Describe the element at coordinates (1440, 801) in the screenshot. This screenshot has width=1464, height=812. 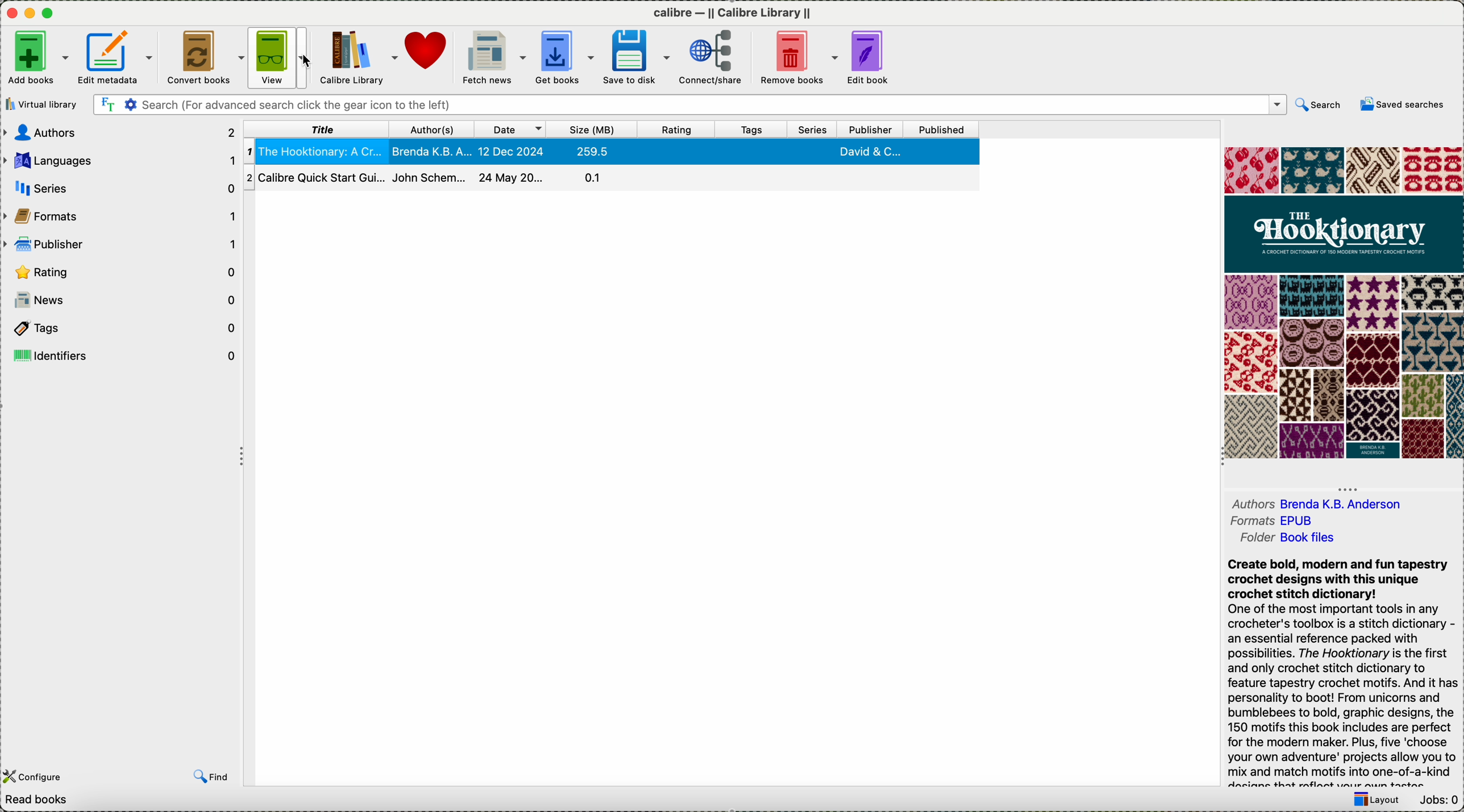
I see `Jobs: 0` at that location.